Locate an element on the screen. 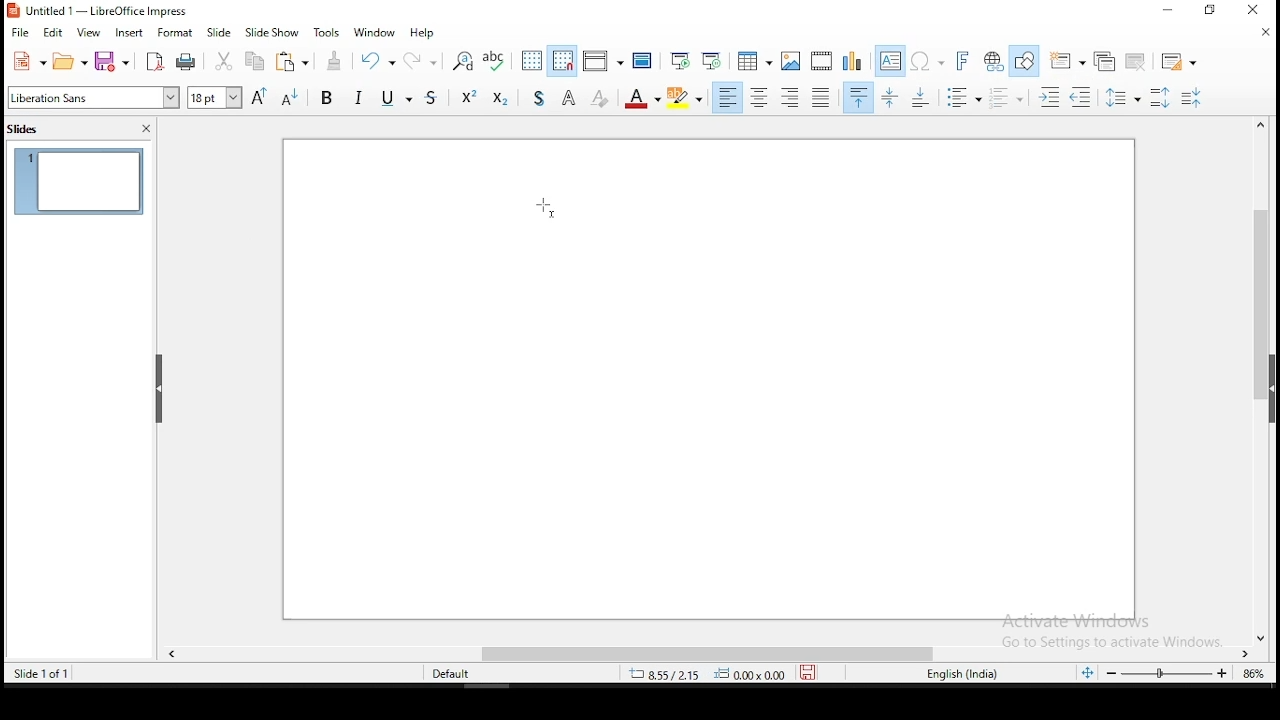 The height and width of the screenshot is (720, 1280). strikethrough is located at coordinates (421, 99).